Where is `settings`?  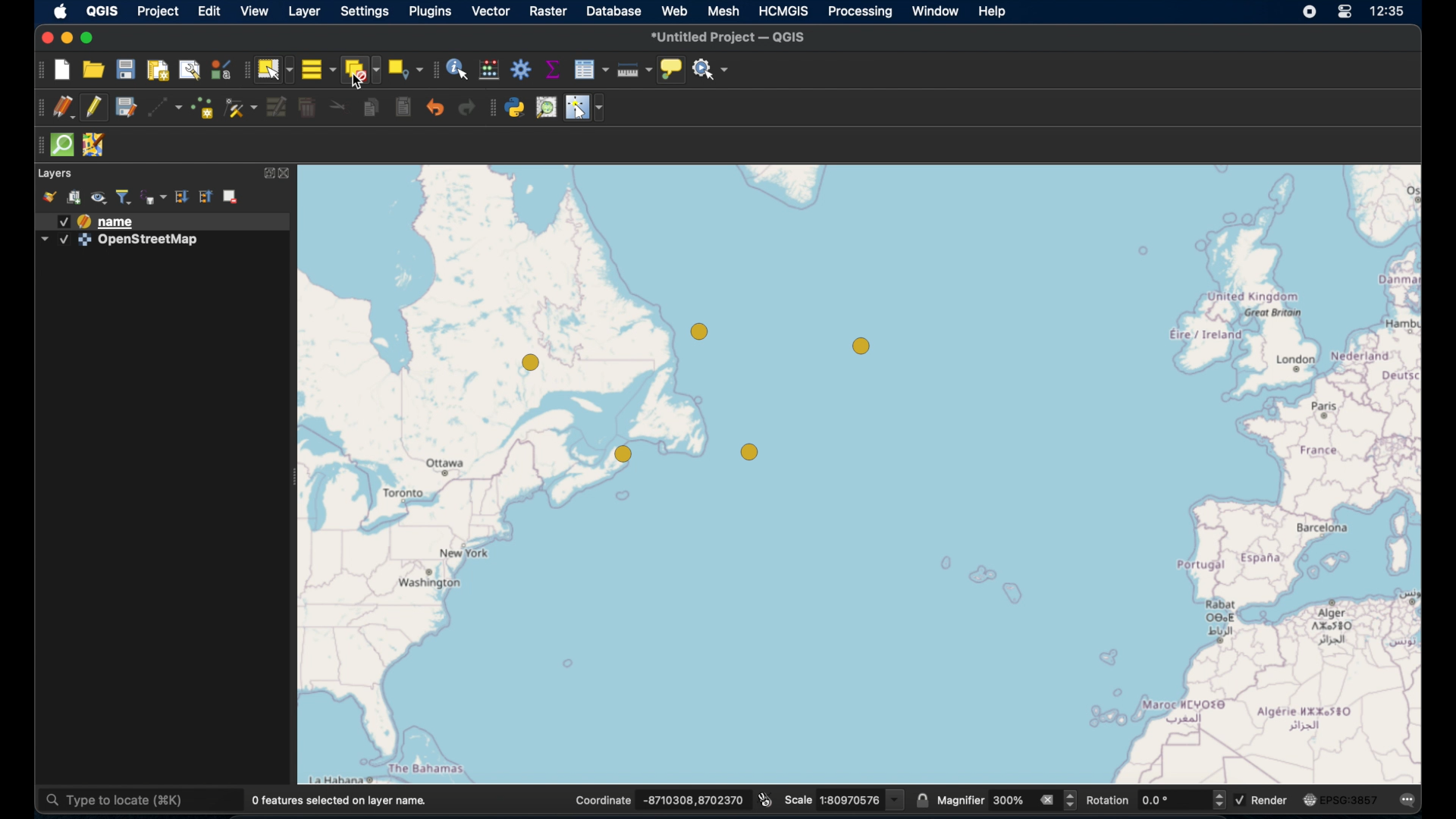
settings is located at coordinates (366, 14).